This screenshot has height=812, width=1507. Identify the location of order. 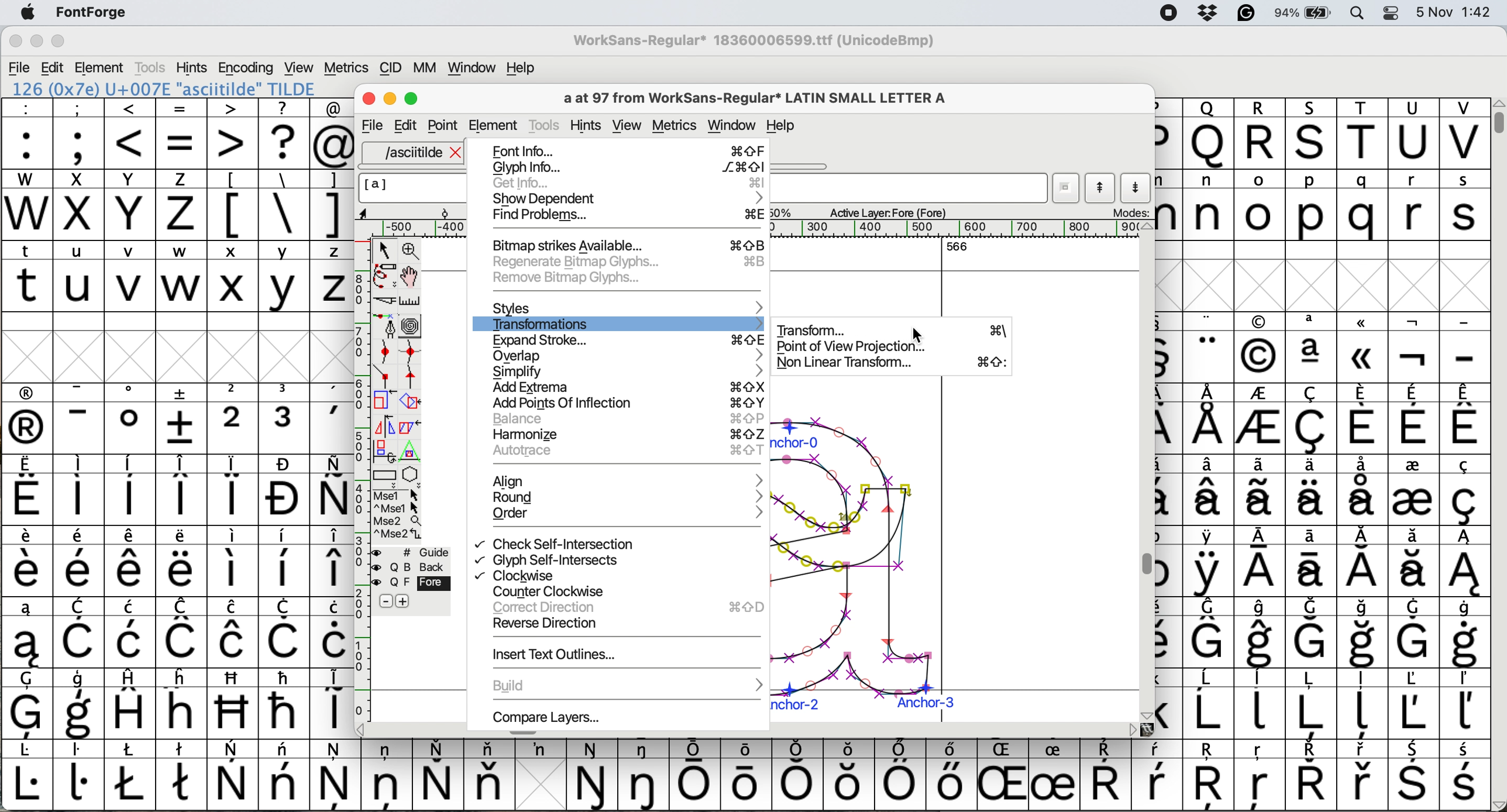
(623, 517).